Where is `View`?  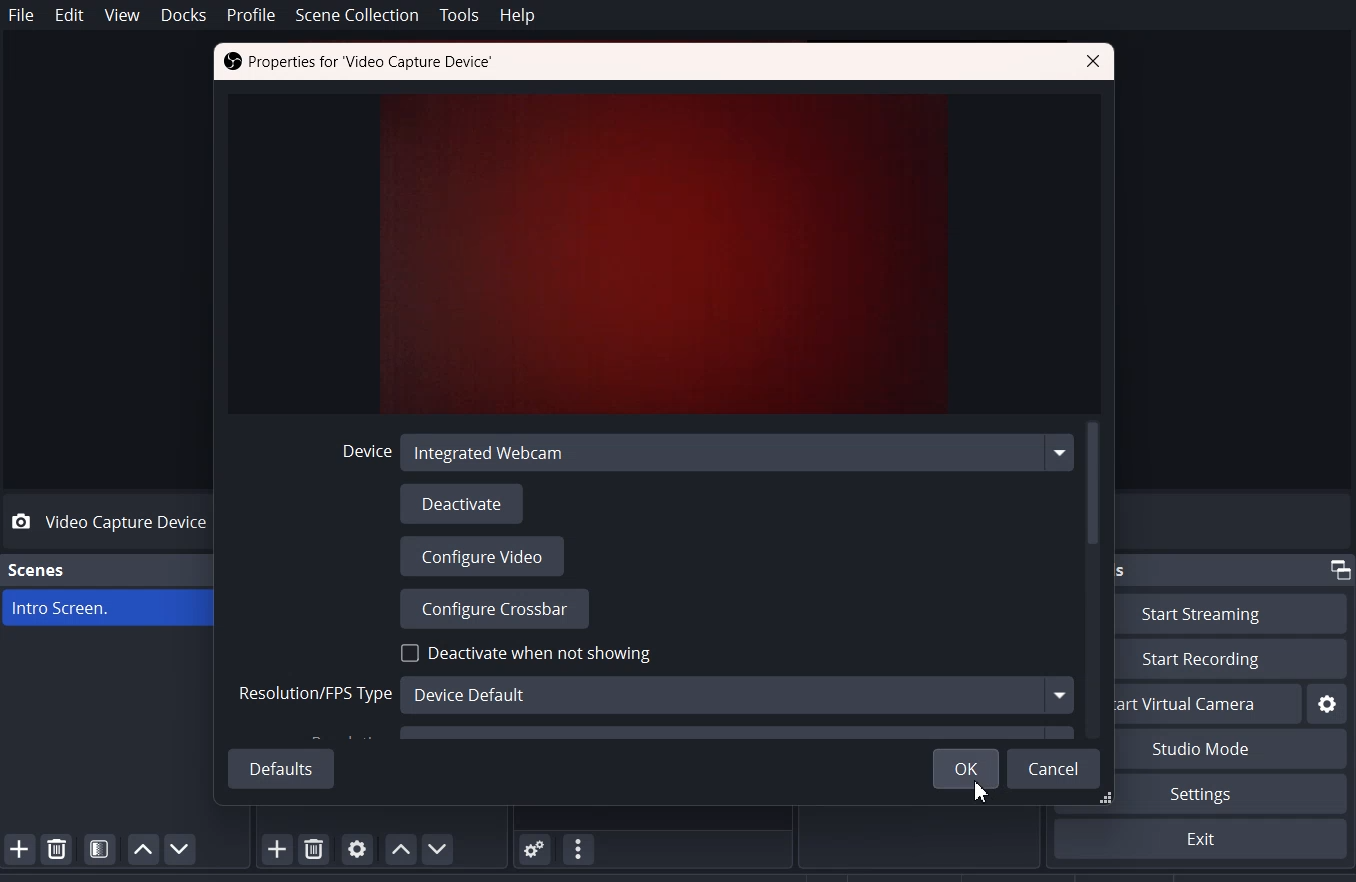
View is located at coordinates (122, 15).